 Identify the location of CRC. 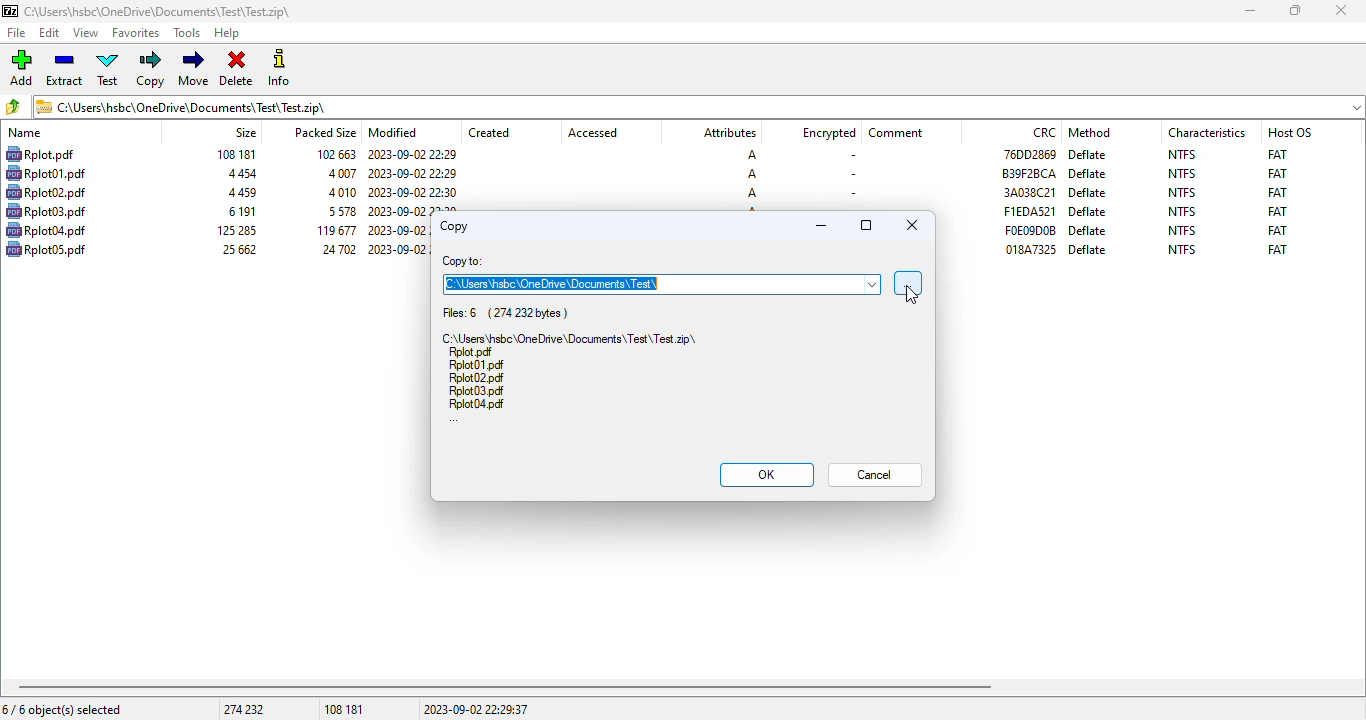
(1031, 249).